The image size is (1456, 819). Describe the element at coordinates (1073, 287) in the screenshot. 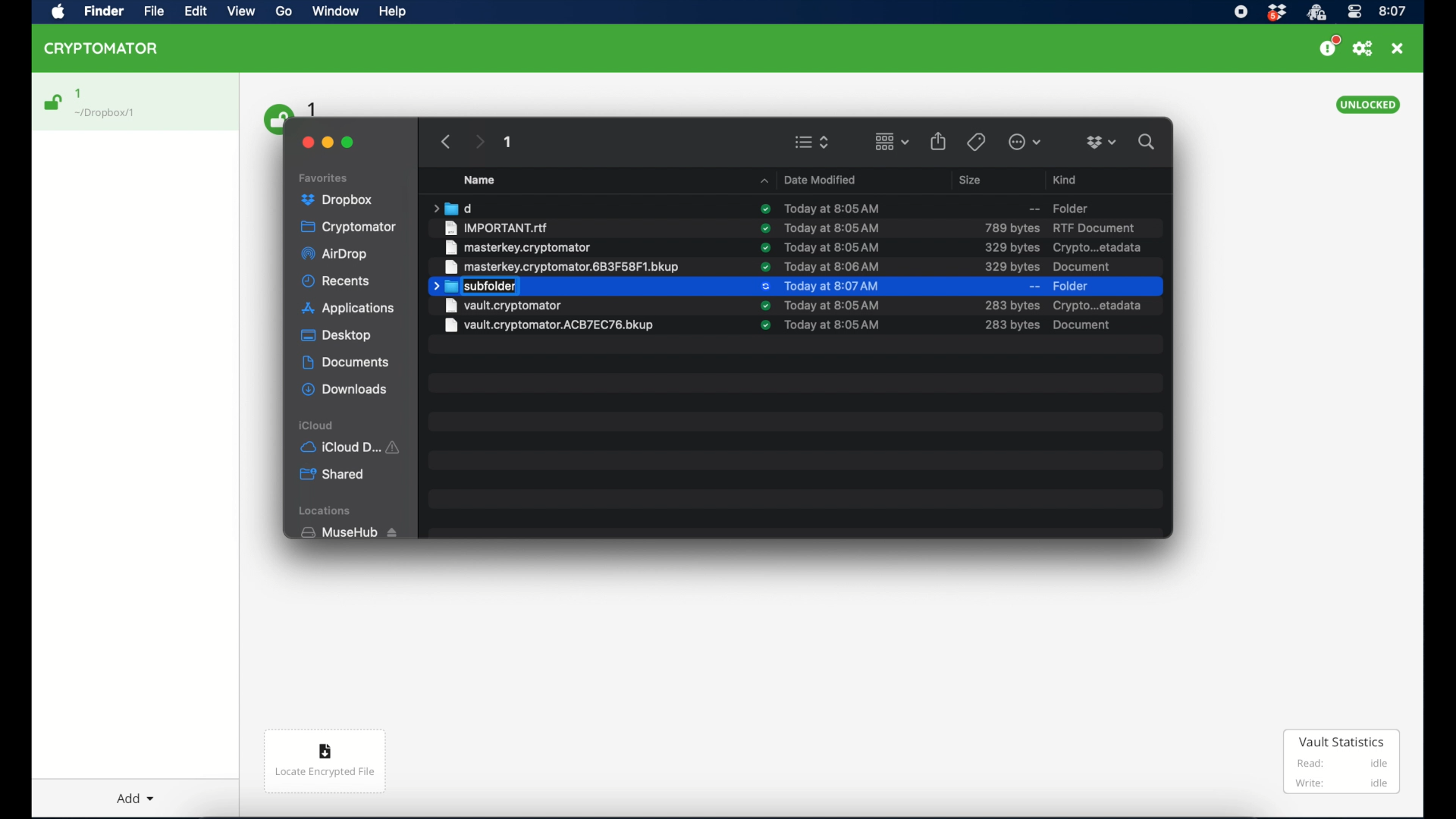

I see `folder` at that location.